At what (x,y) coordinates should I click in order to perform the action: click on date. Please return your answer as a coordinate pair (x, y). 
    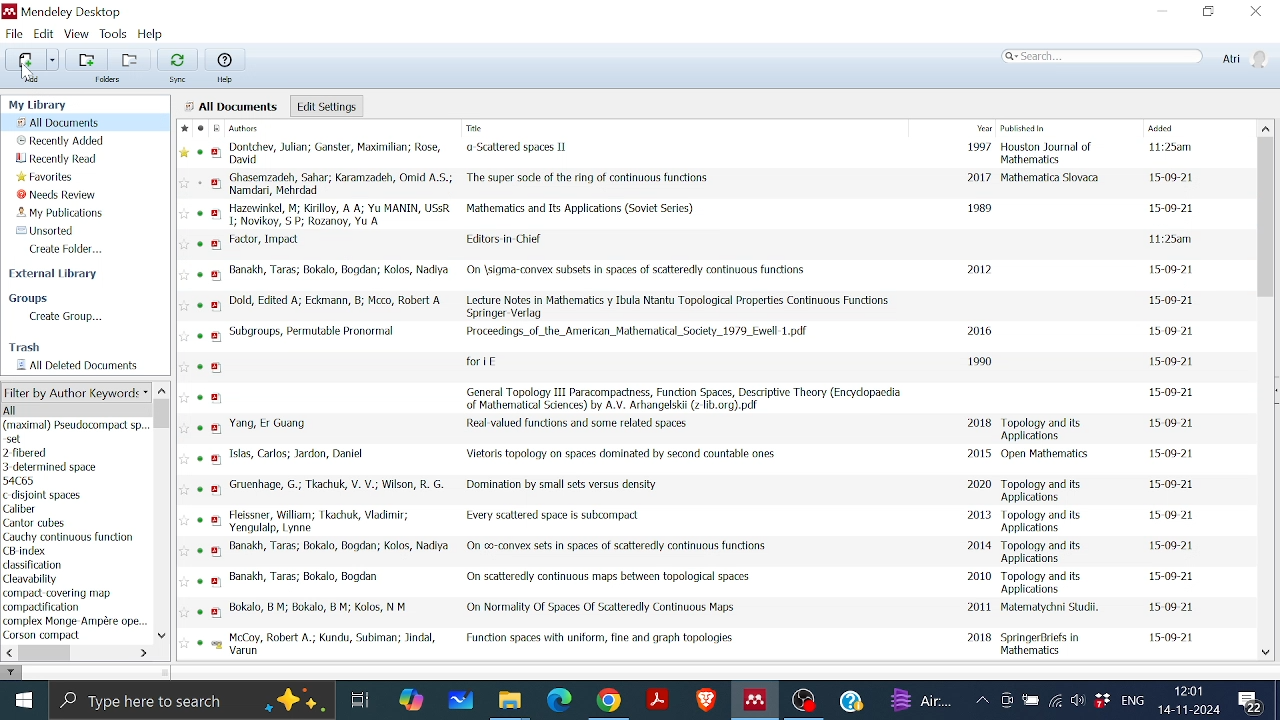
    Looking at the image, I should click on (1168, 518).